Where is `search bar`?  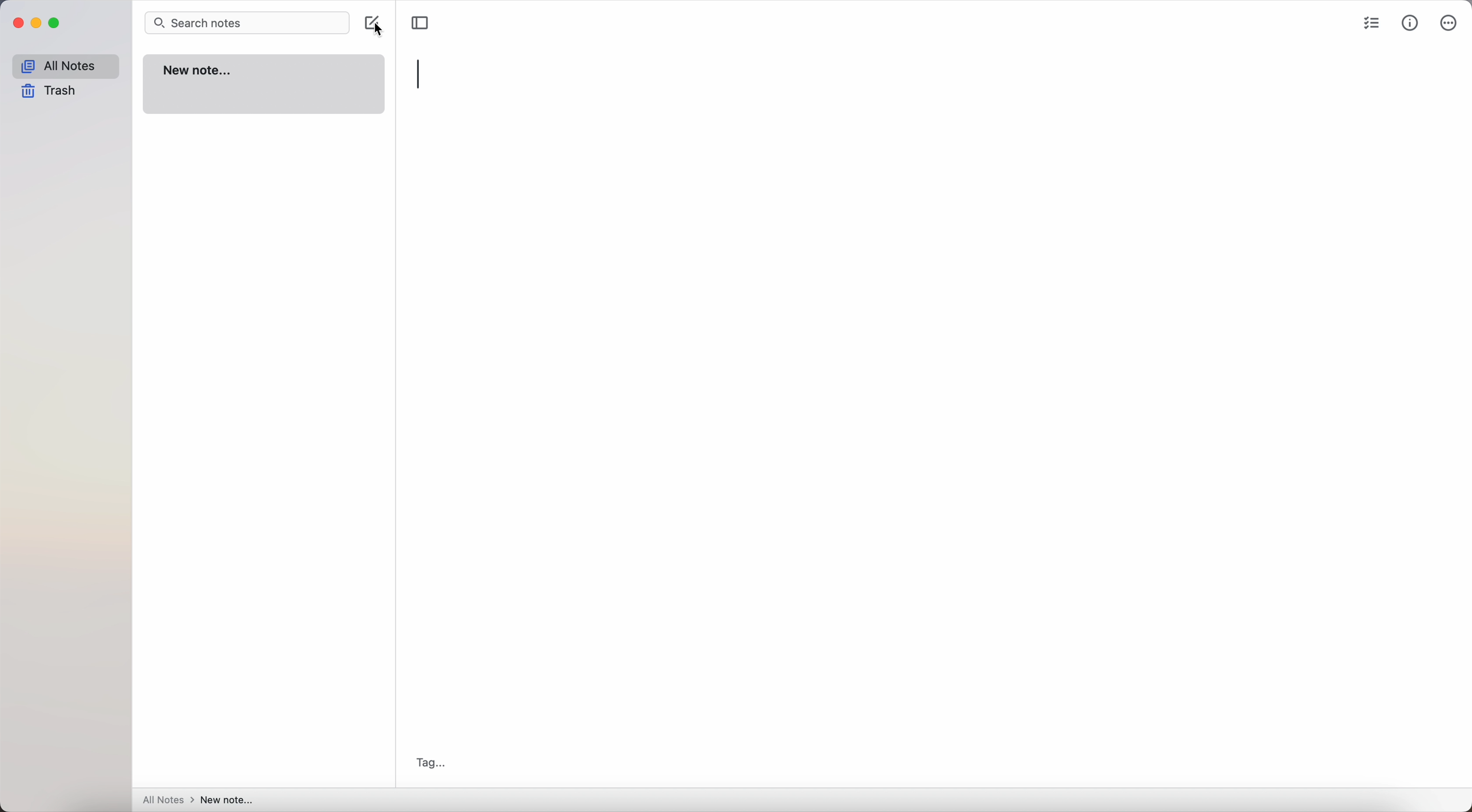
search bar is located at coordinates (247, 22).